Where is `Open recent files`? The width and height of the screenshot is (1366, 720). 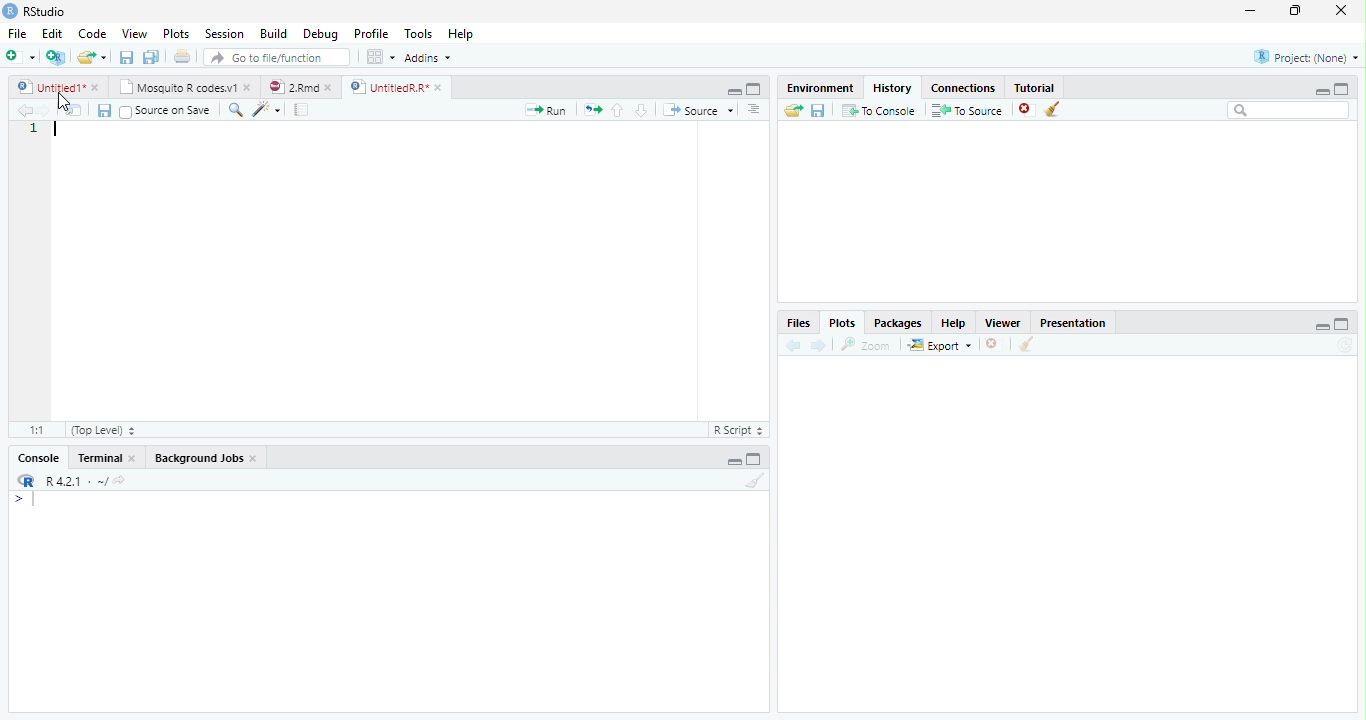 Open recent files is located at coordinates (103, 57).